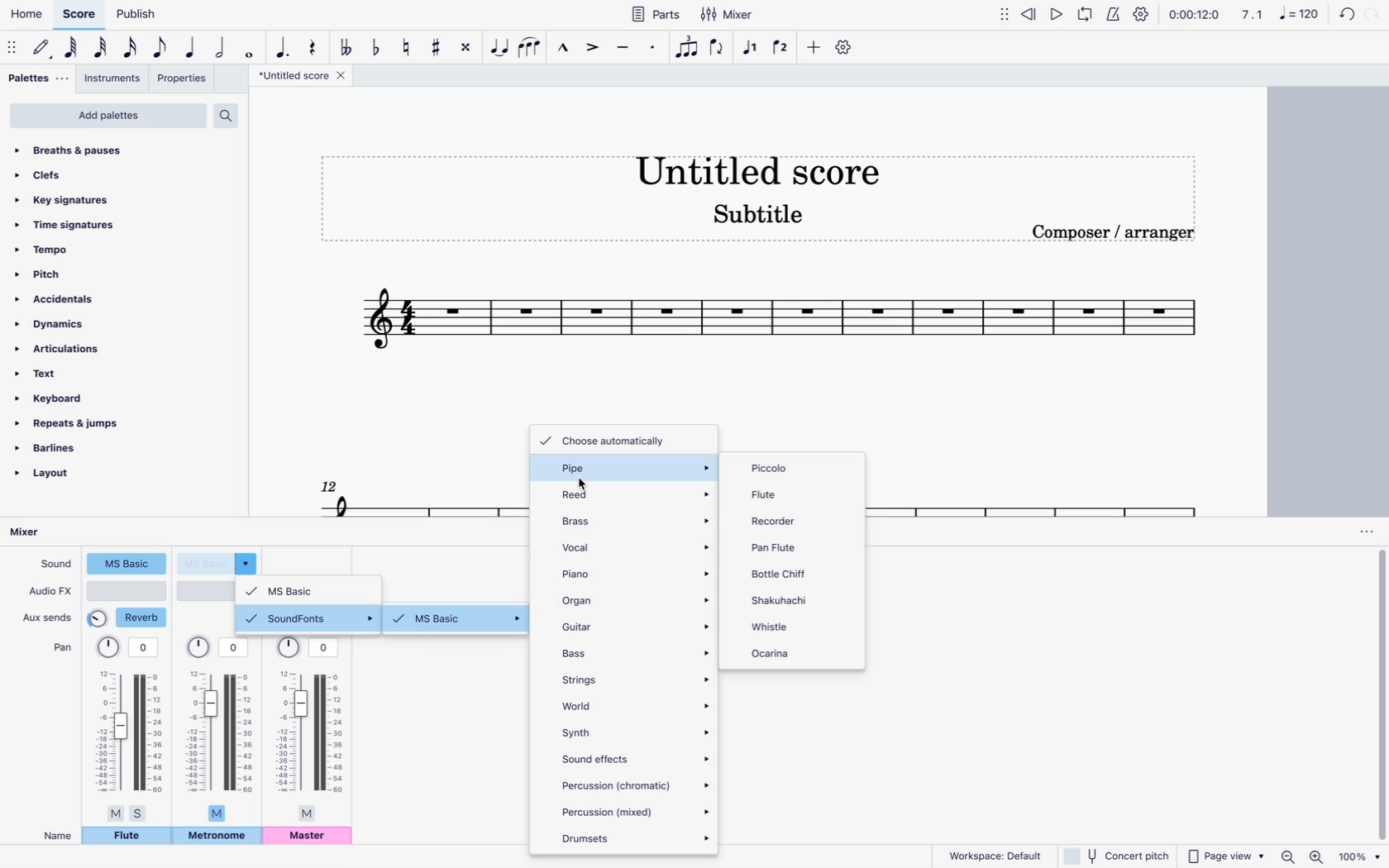 This screenshot has height=868, width=1389. Describe the element at coordinates (311, 838) in the screenshot. I see `master` at that location.